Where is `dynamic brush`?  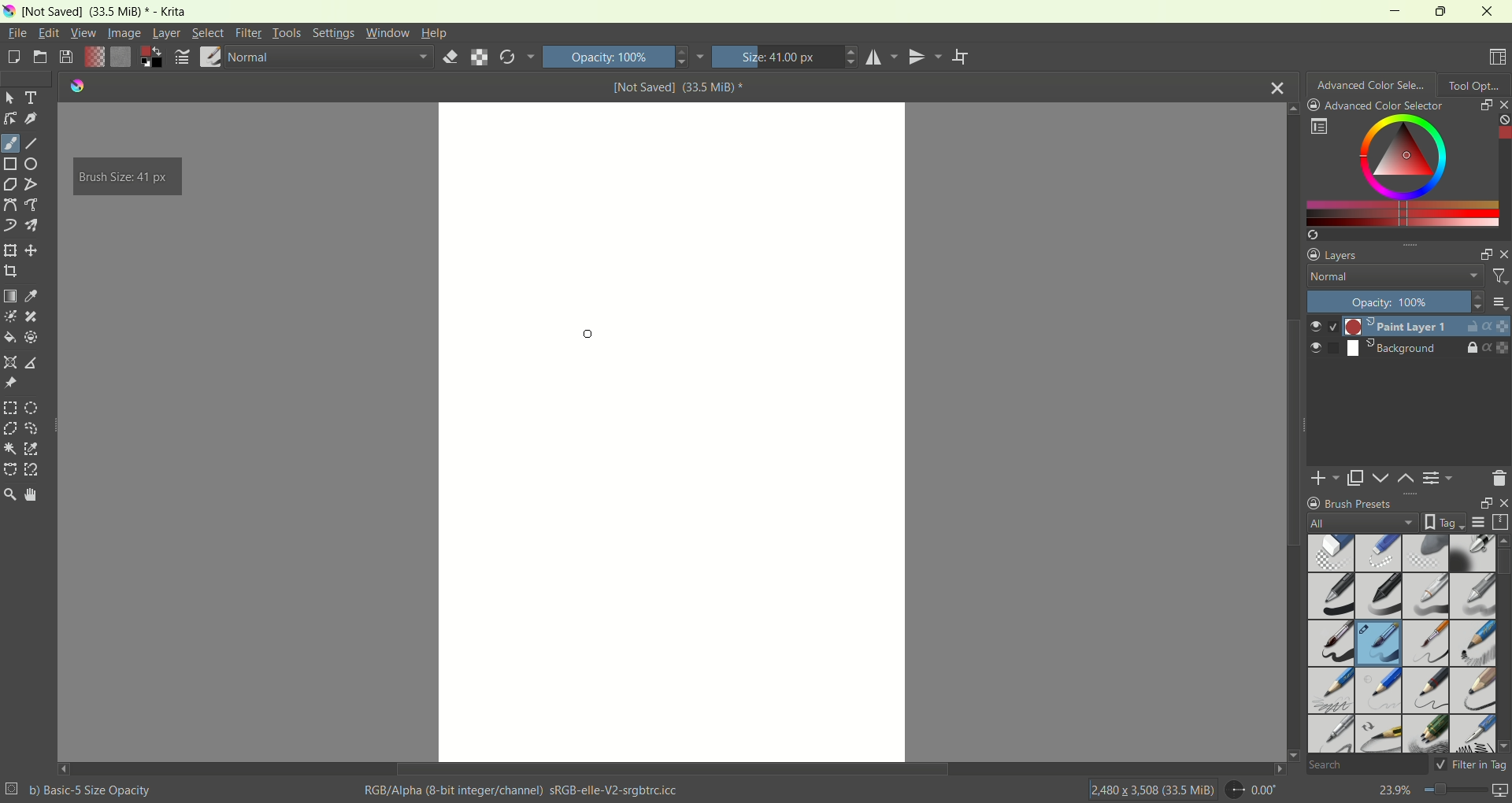 dynamic brush is located at coordinates (10, 225).